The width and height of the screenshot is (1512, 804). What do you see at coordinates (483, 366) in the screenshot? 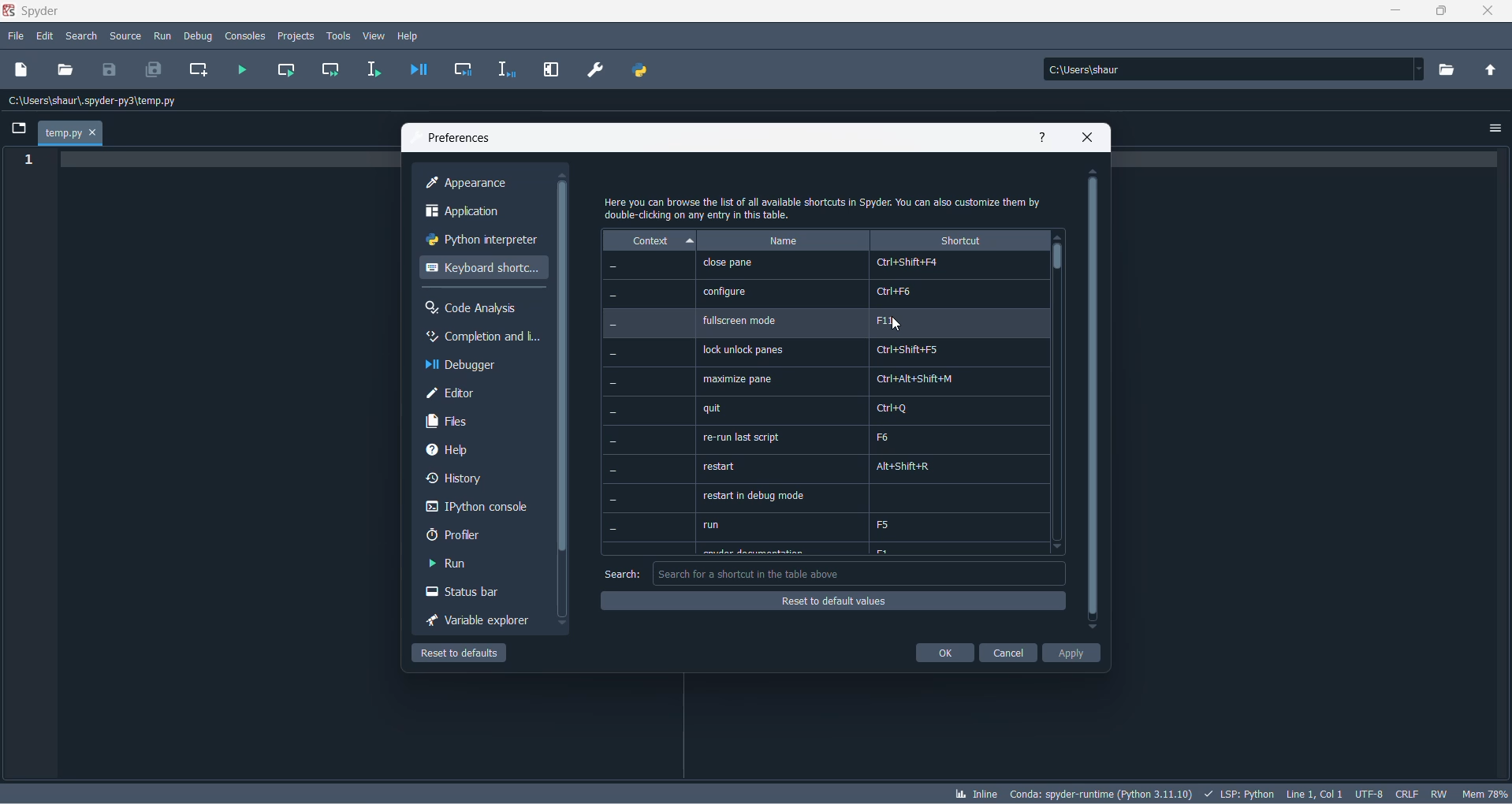
I see `debugger` at bounding box center [483, 366].